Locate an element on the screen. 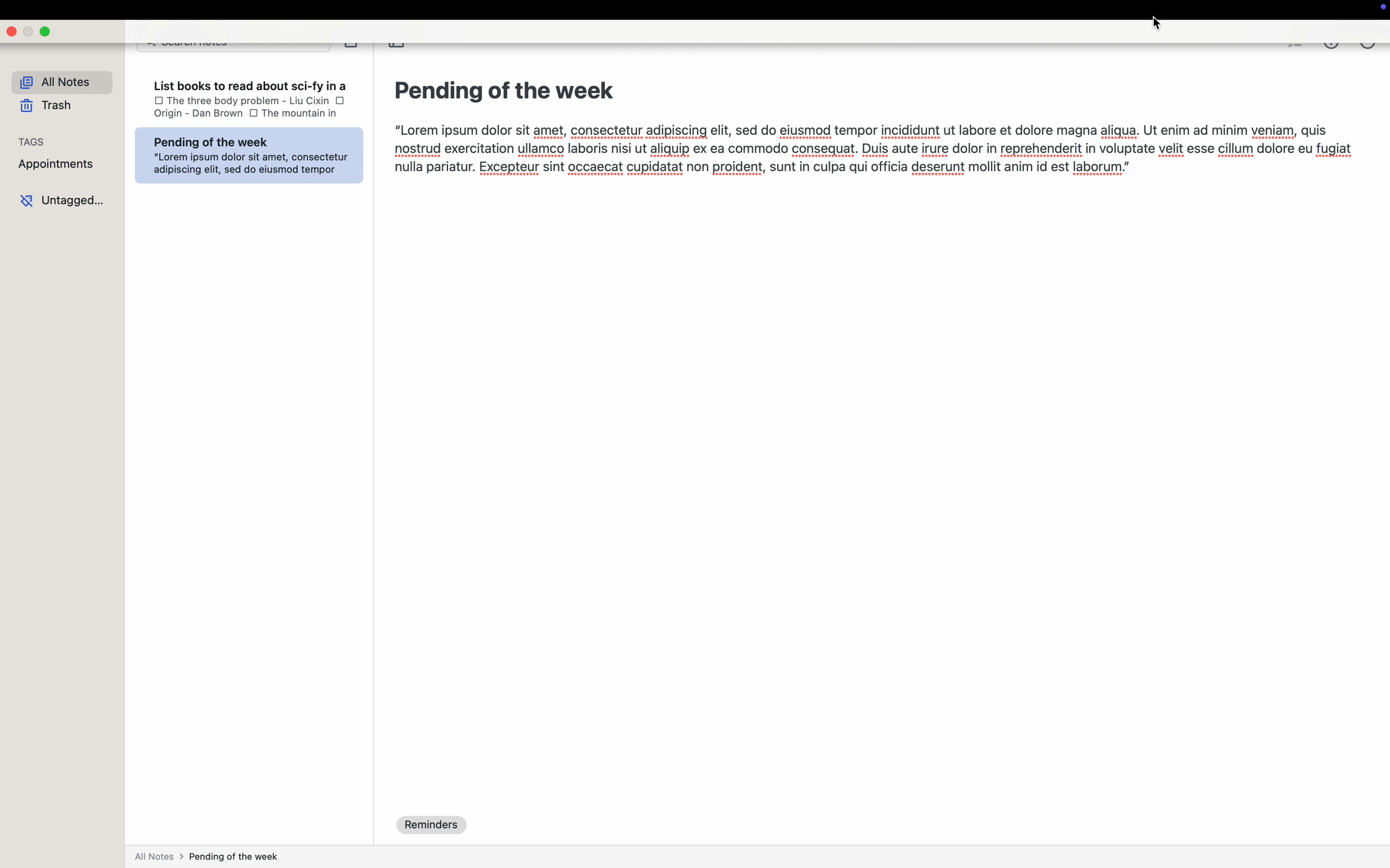 Image resolution: width=1390 pixels, height=868 pixels. reminders tag is located at coordinates (434, 826).